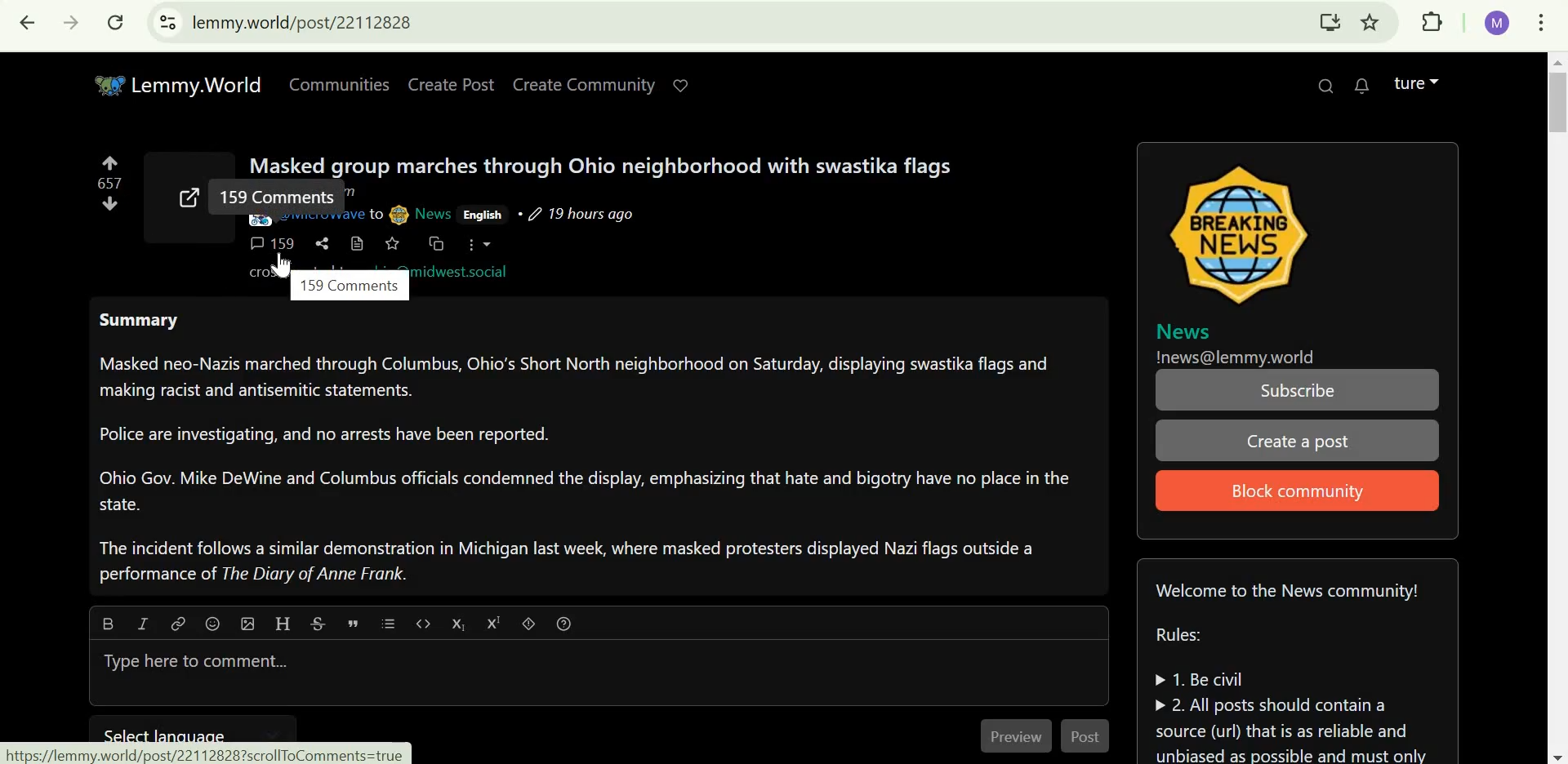 This screenshot has height=764, width=1568. I want to click on 159 comments, so click(266, 243).